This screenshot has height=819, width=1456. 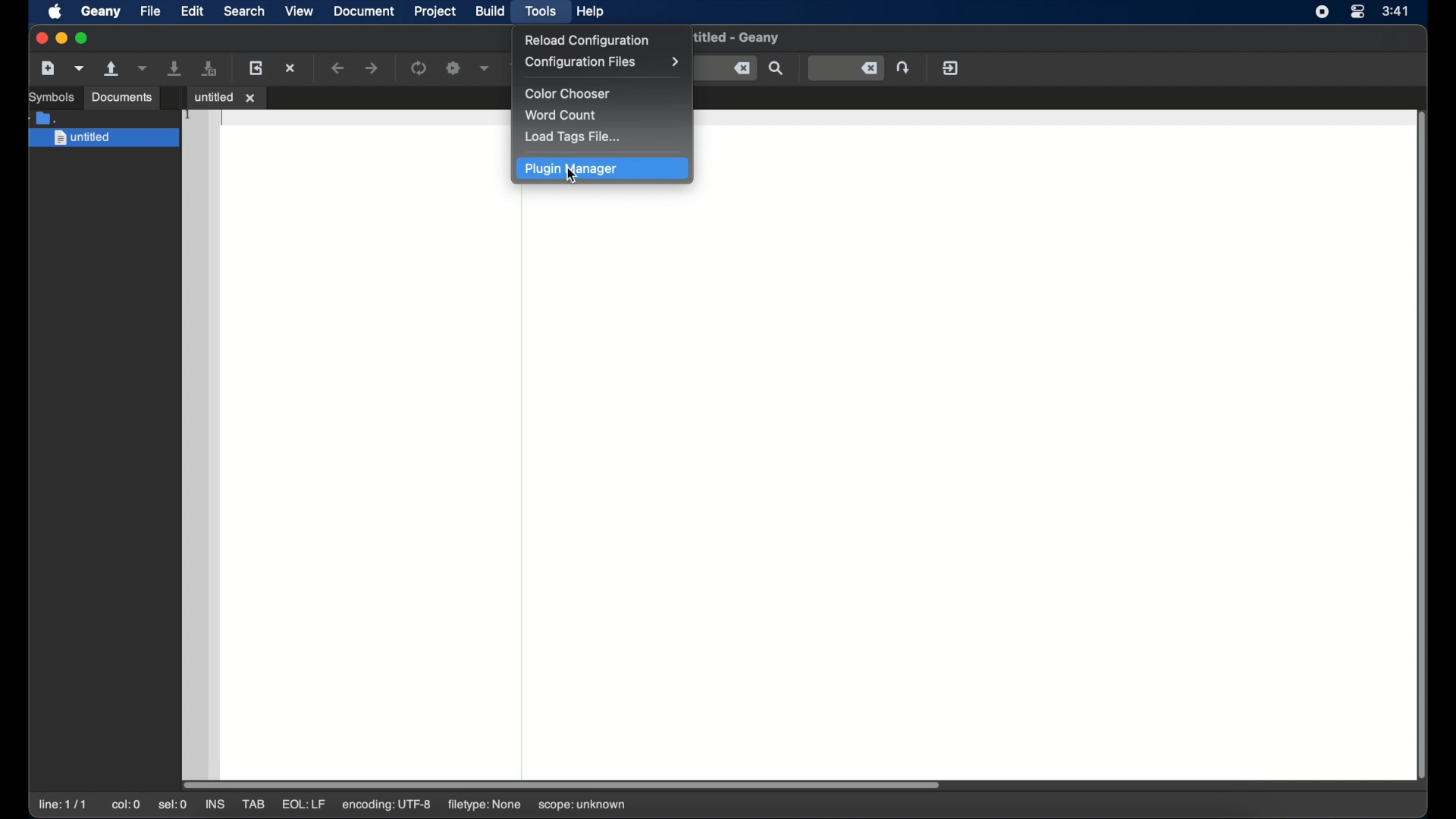 I want to click on untitled, so click(x=102, y=139).